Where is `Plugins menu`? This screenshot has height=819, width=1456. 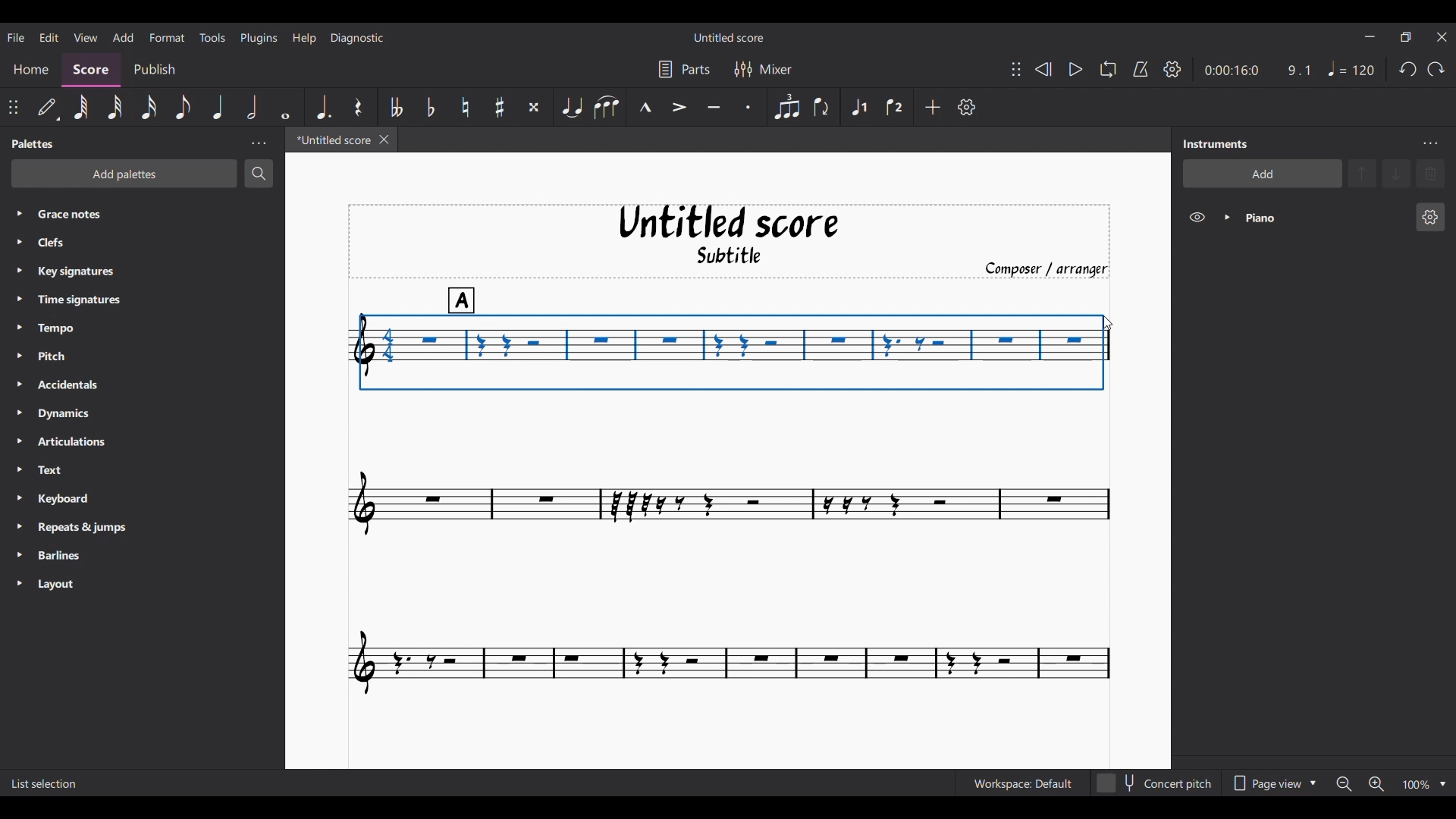 Plugins menu is located at coordinates (260, 37).